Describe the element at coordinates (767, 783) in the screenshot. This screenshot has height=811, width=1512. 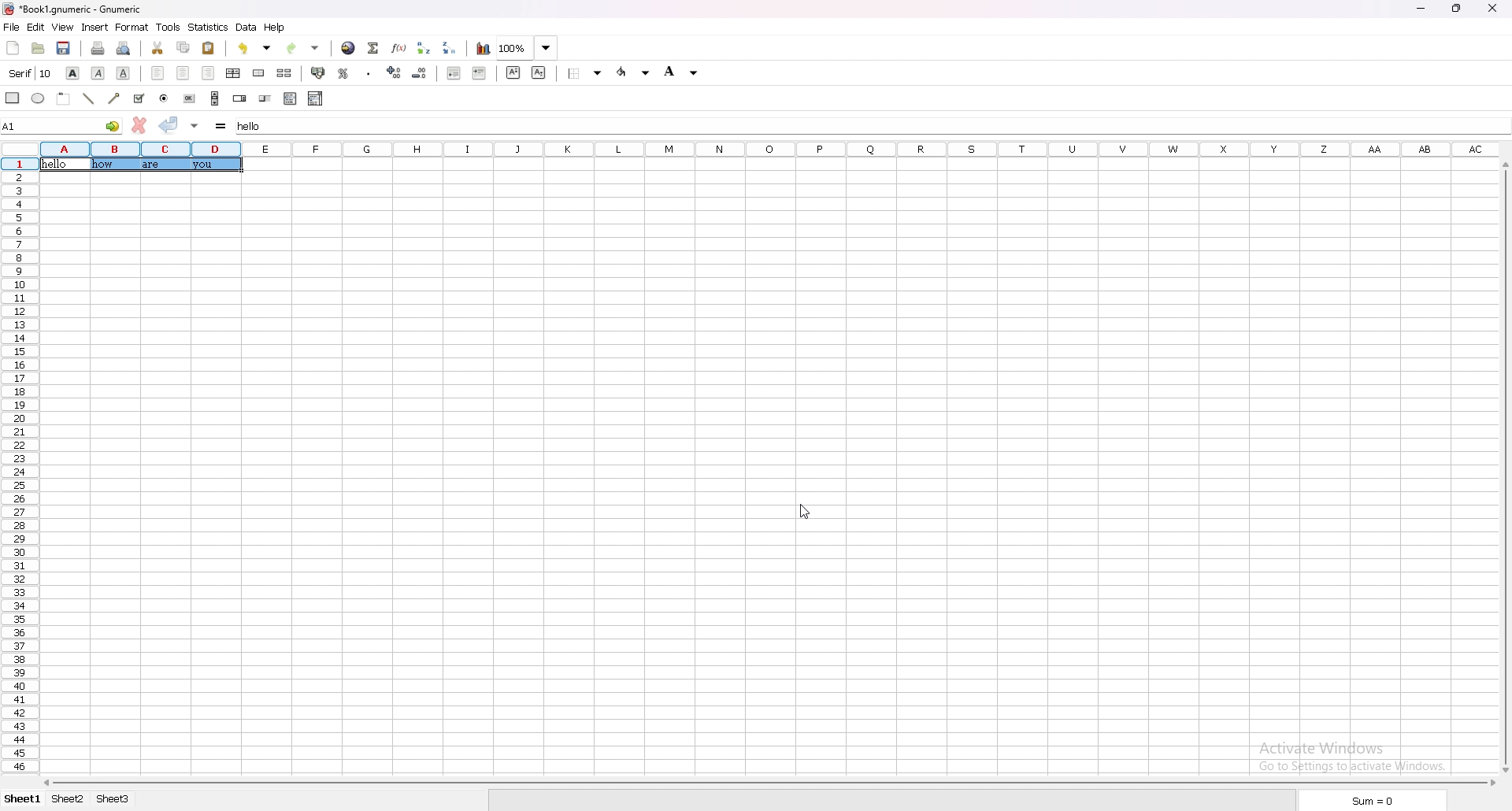
I see `scroll bar` at that location.